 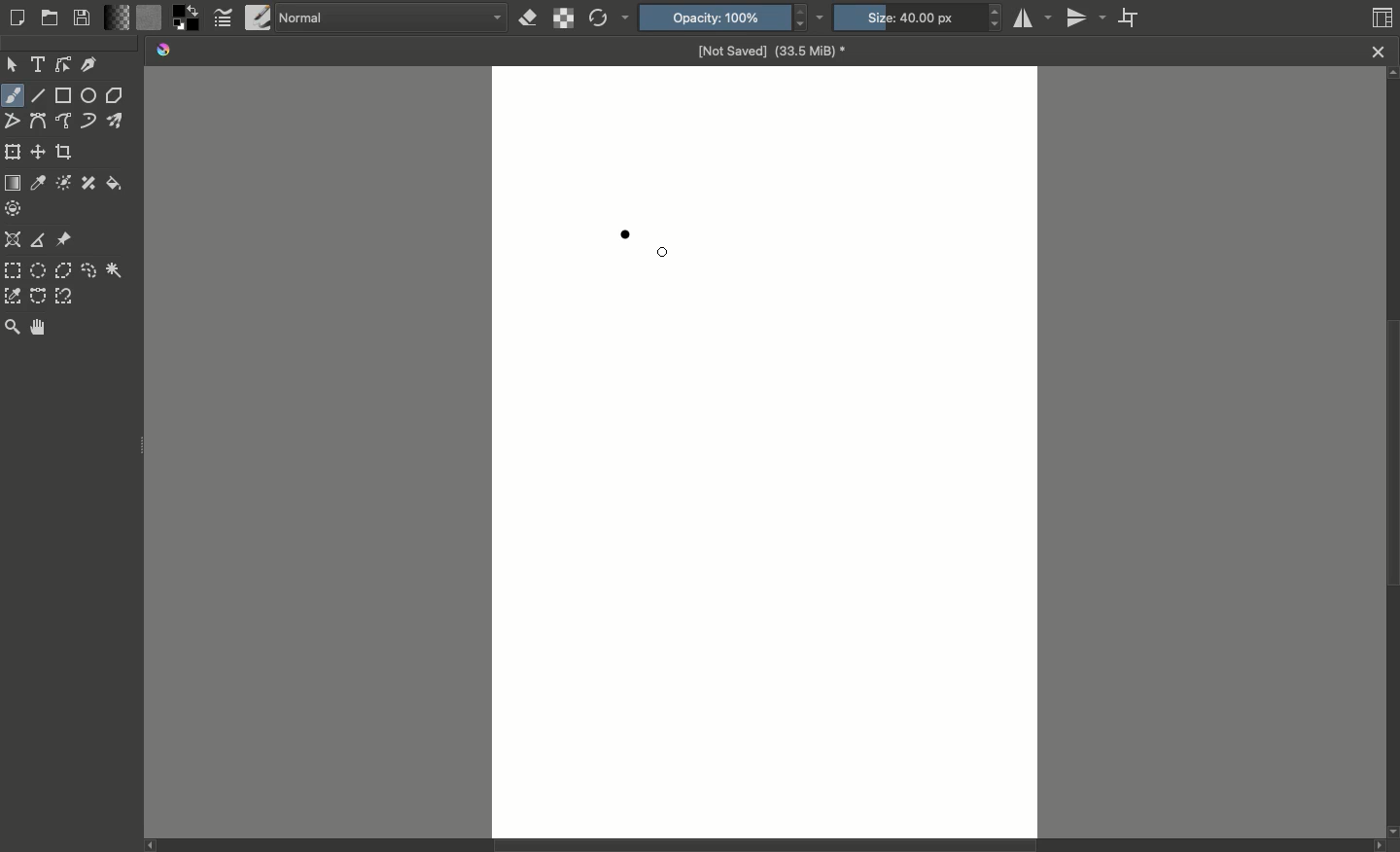 What do you see at coordinates (185, 18) in the screenshot?
I see `Foreground color` at bounding box center [185, 18].